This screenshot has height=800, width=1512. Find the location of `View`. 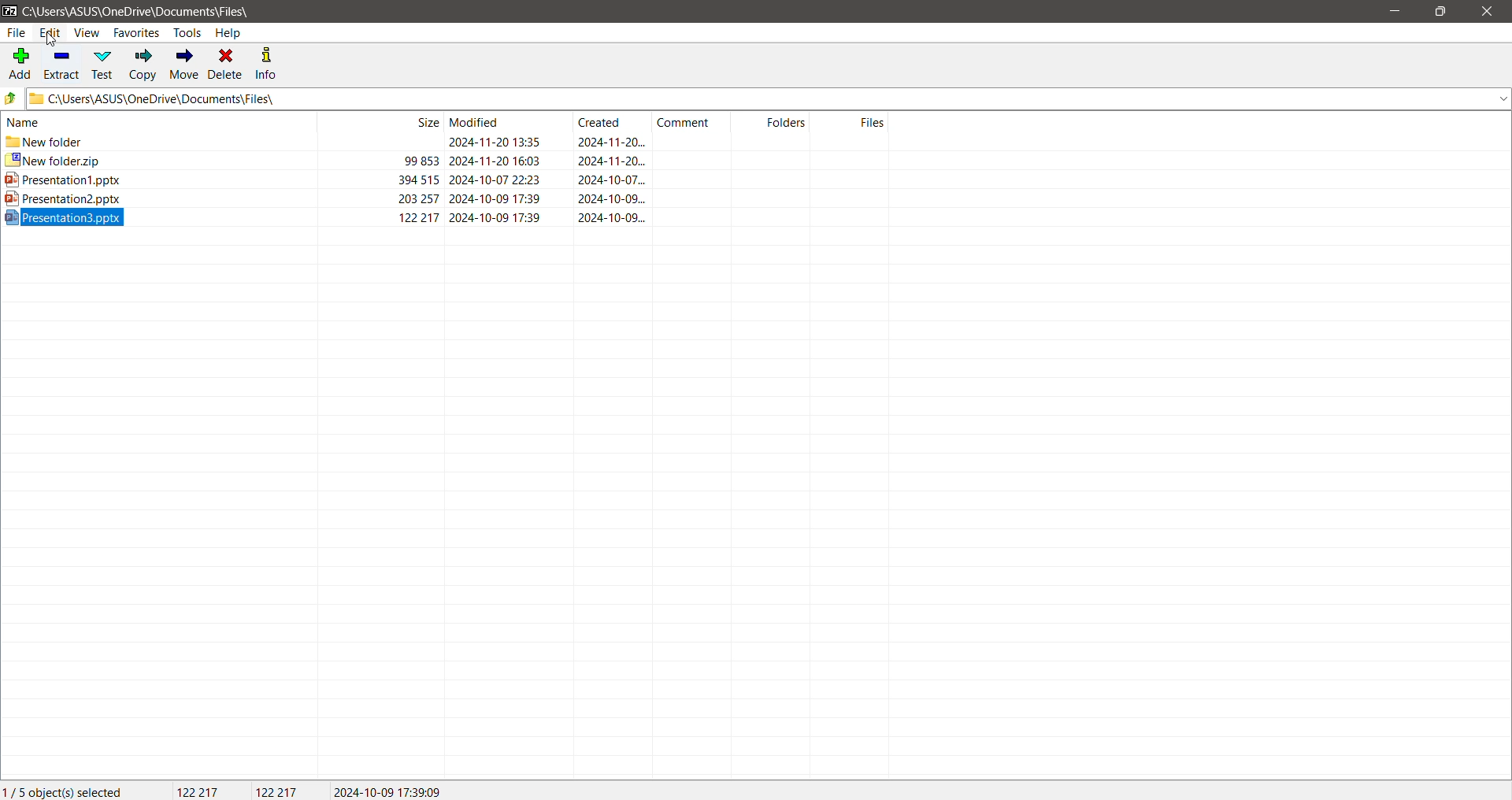

View is located at coordinates (86, 33).